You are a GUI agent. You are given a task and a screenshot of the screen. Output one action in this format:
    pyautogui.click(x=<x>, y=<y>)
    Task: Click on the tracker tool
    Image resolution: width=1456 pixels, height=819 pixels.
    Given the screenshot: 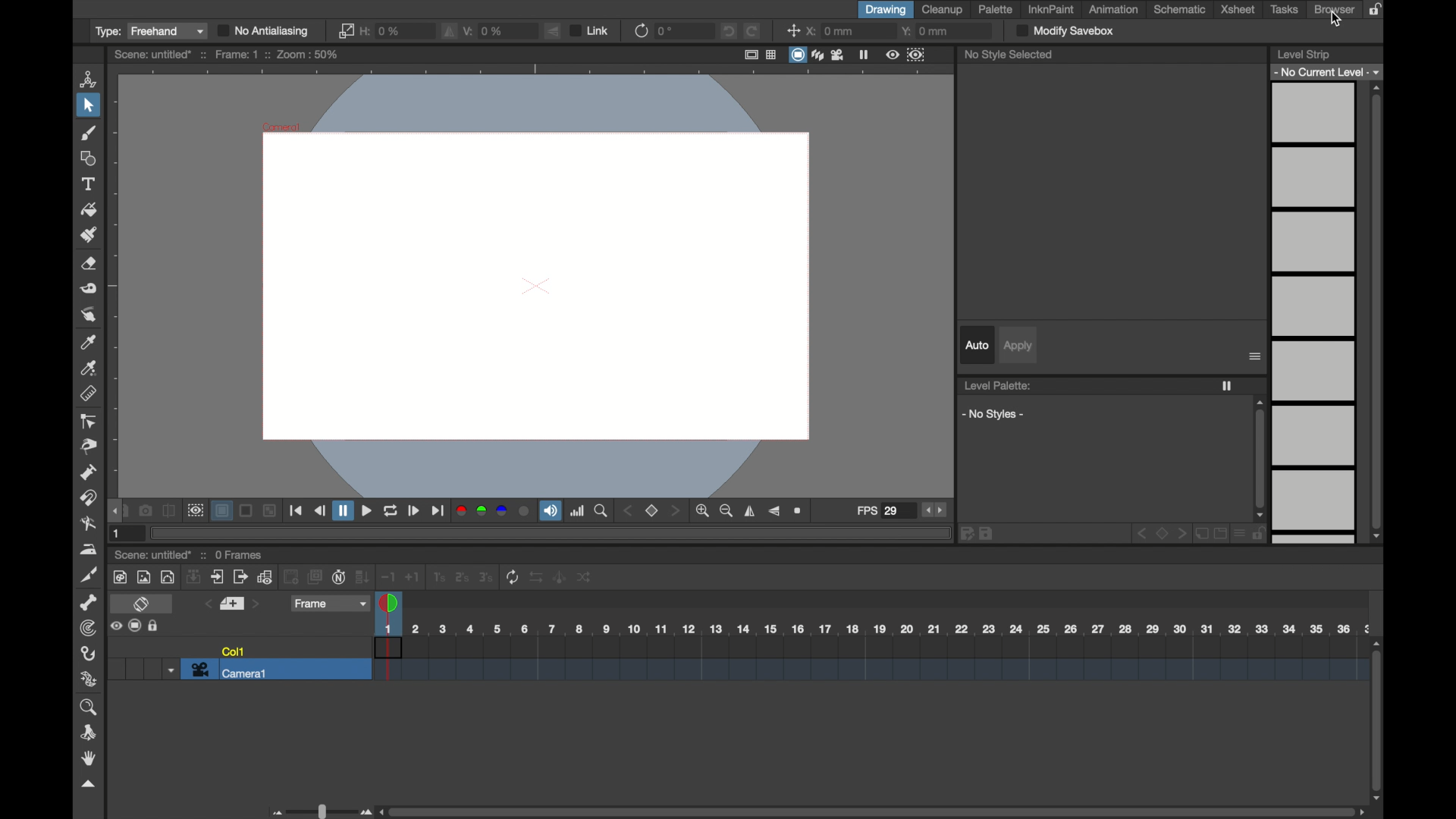 What is the action you would take?
    pyautogui.click(x=88, y=628)
    